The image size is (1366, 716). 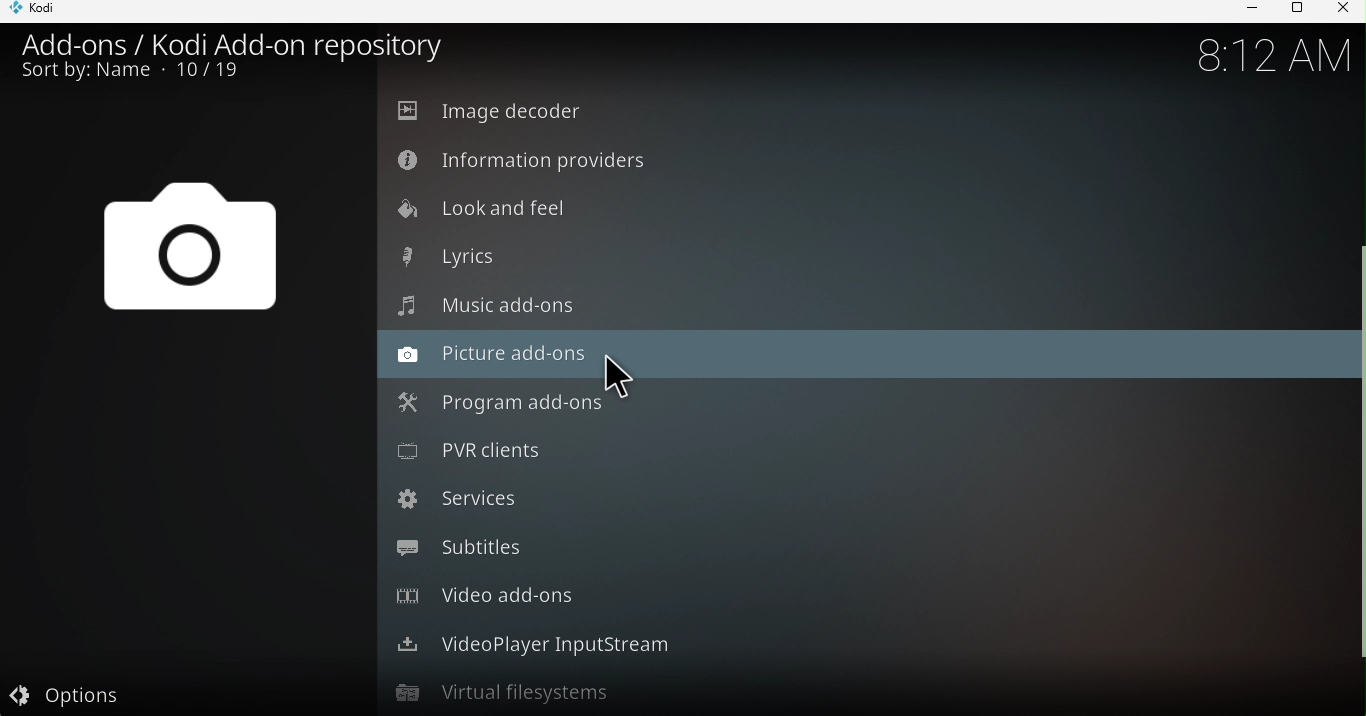 What do you see at coordinates (859, 354) in the screenshot?
I see `Picture add-ons` at bounding box center [859, 354].